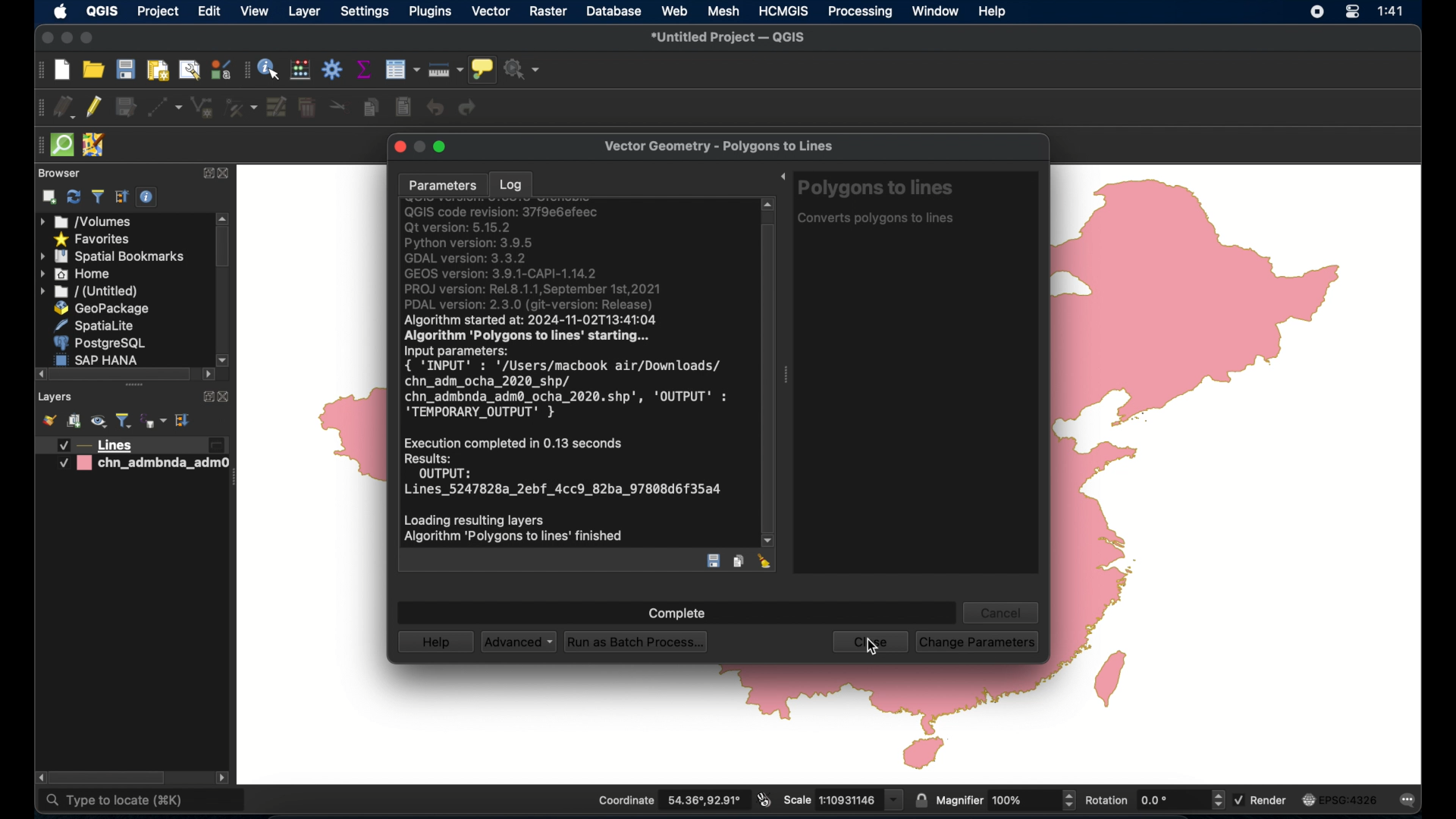 Image resolution: width=1456 pixels, height=819 pixels. Describe the element at coordinates (371, 105) in the screenshot. I see `copy features` at that location.